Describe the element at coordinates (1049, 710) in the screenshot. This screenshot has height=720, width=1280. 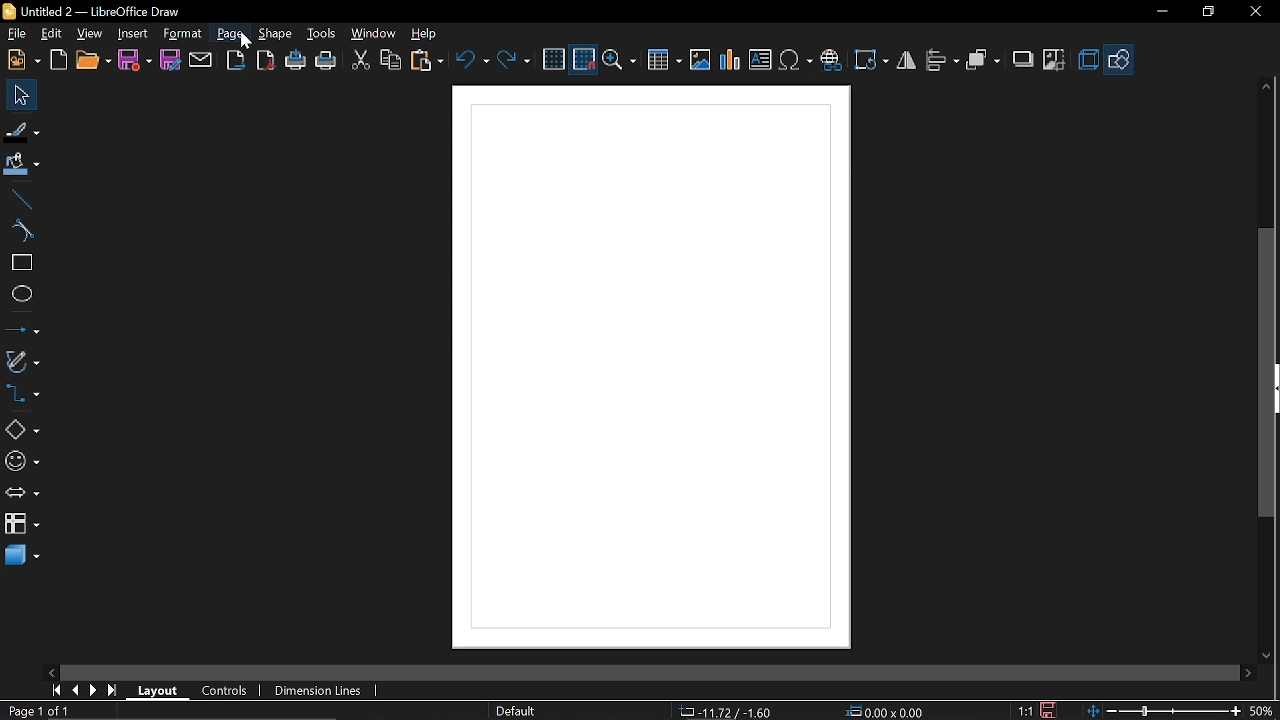
I see `Save` at that location.